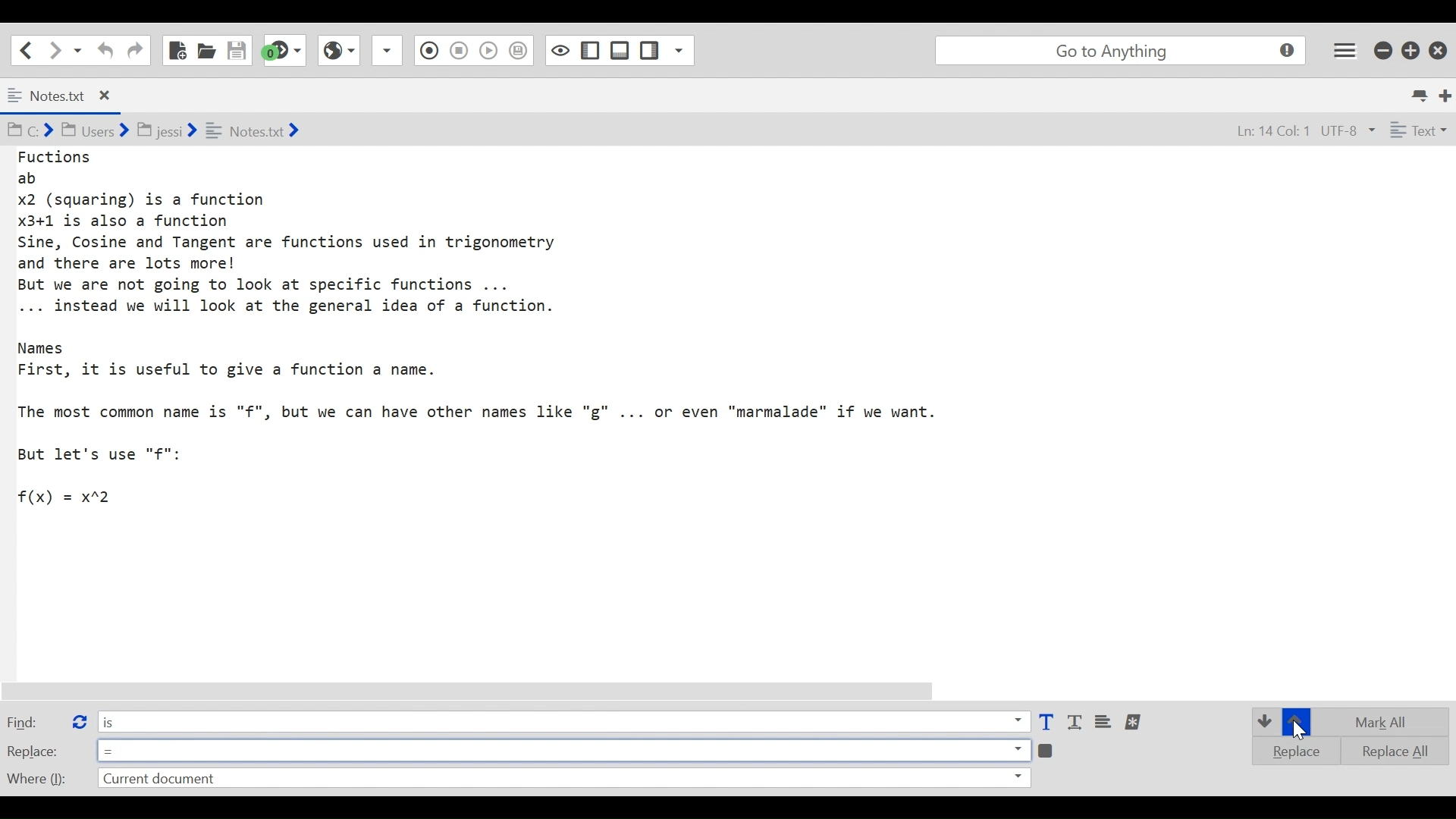  Describe the element at coordinates (496, 328) in the screenshot. I see `Fuctions

ab

x2 (squaring) is a function

x3+1 is also a function

Sine, Cosine and Tangent are functions used in trigonometry
and there are lots more!

But we are not going to look at specific functions ...

... instead we will look at the general idea of a function.
Names

First, it is useful to give a function a name.

The most common name is "f", but we can have other names like "g" ... or even "marmalade" if we want.
But let's use "f":

f(x) = x*2` at that location.